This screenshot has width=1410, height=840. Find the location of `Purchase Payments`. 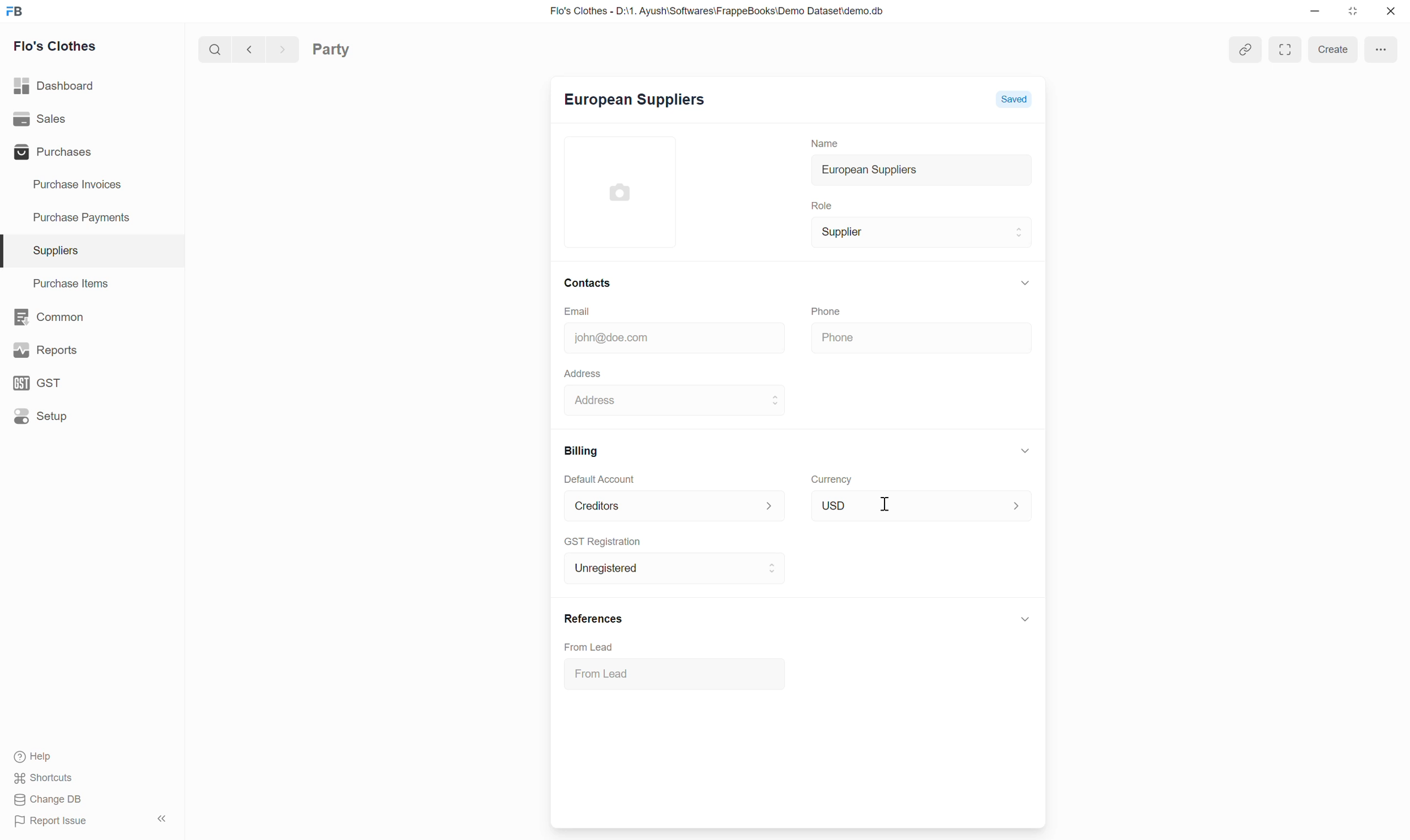

Purchase Payments is located at coordinates (87, 214).